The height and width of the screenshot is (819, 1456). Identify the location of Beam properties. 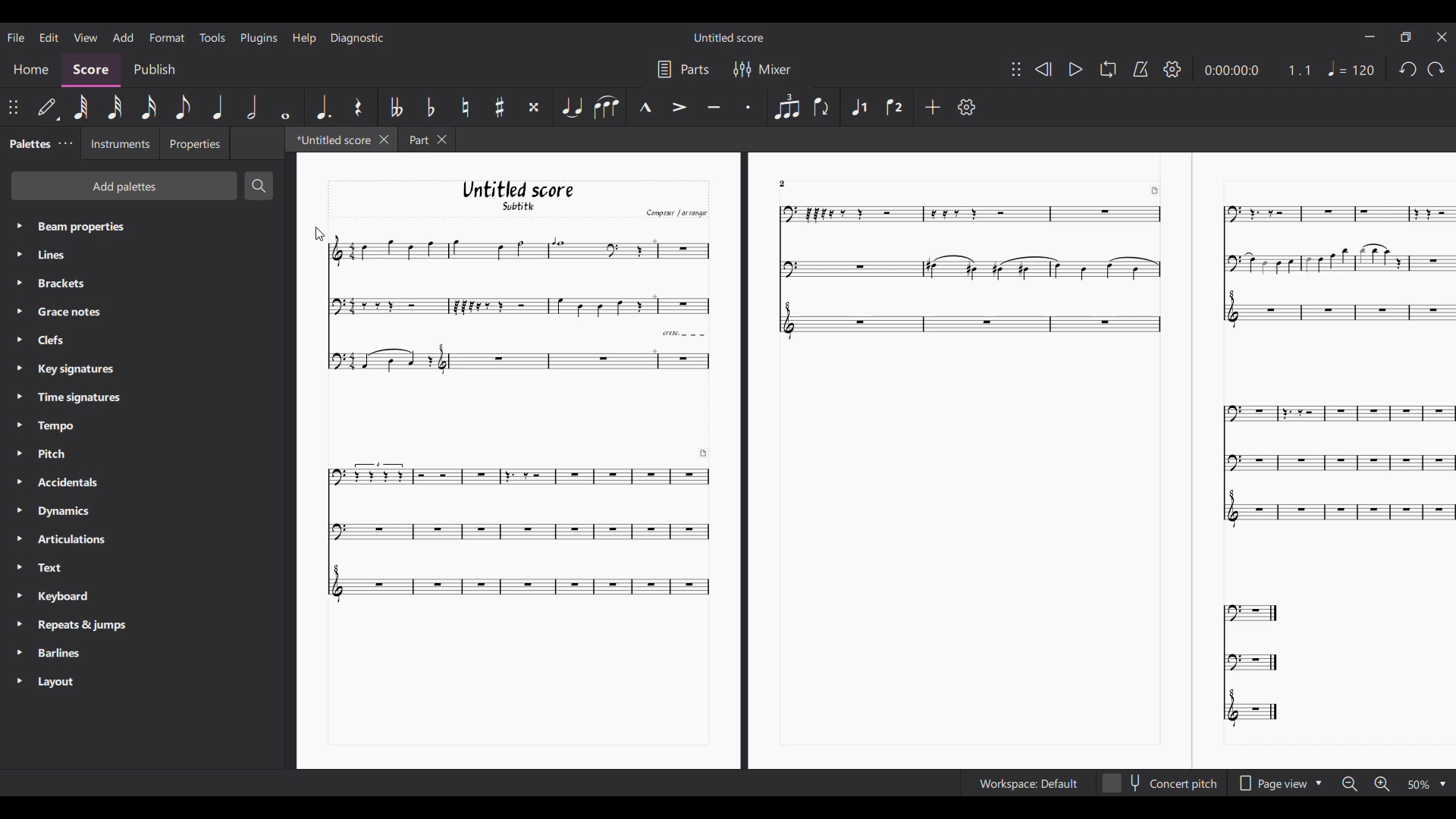
(118, 226).